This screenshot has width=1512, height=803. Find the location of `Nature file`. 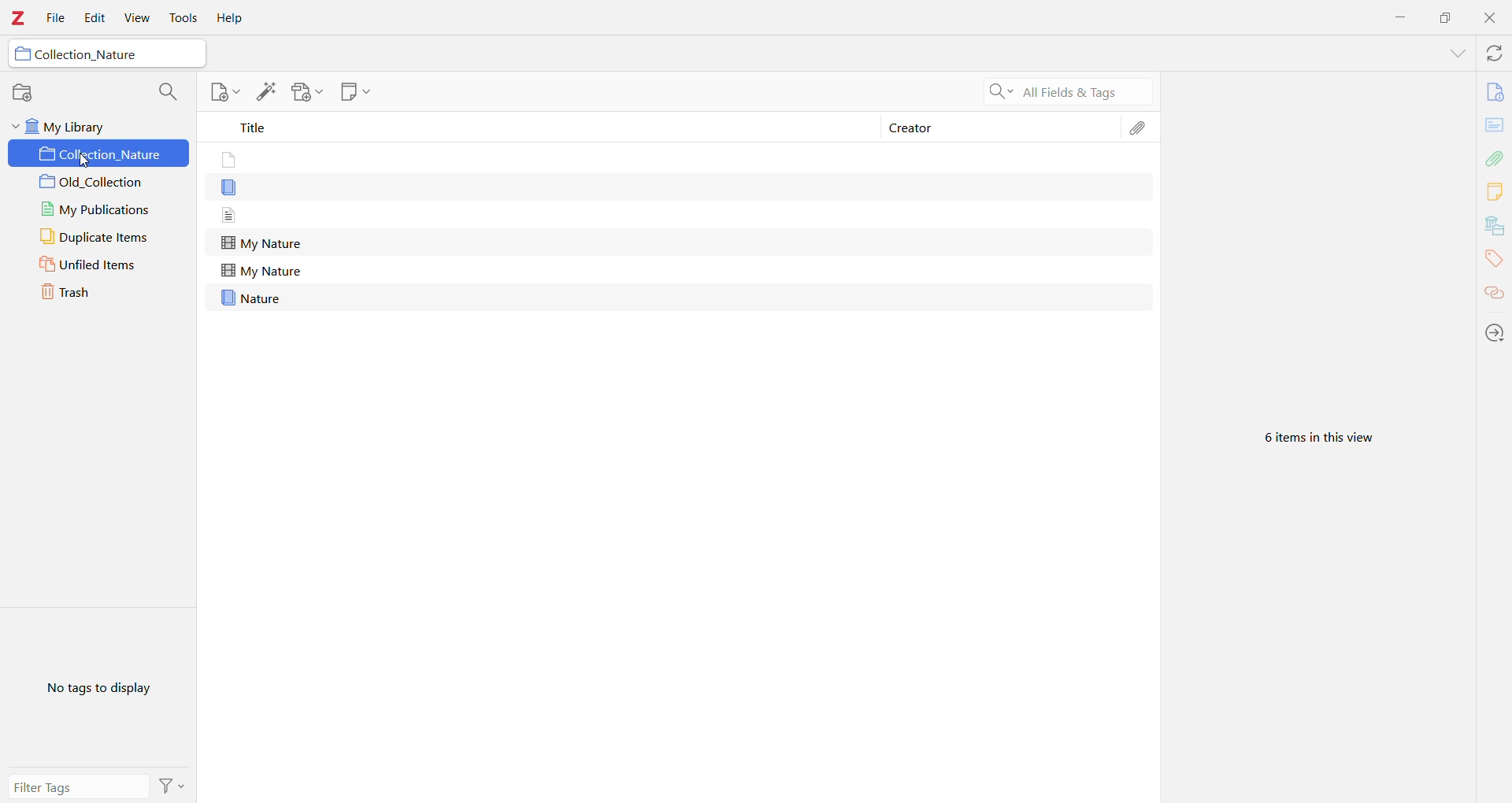

Nature file is located at coordinates (254, 298).